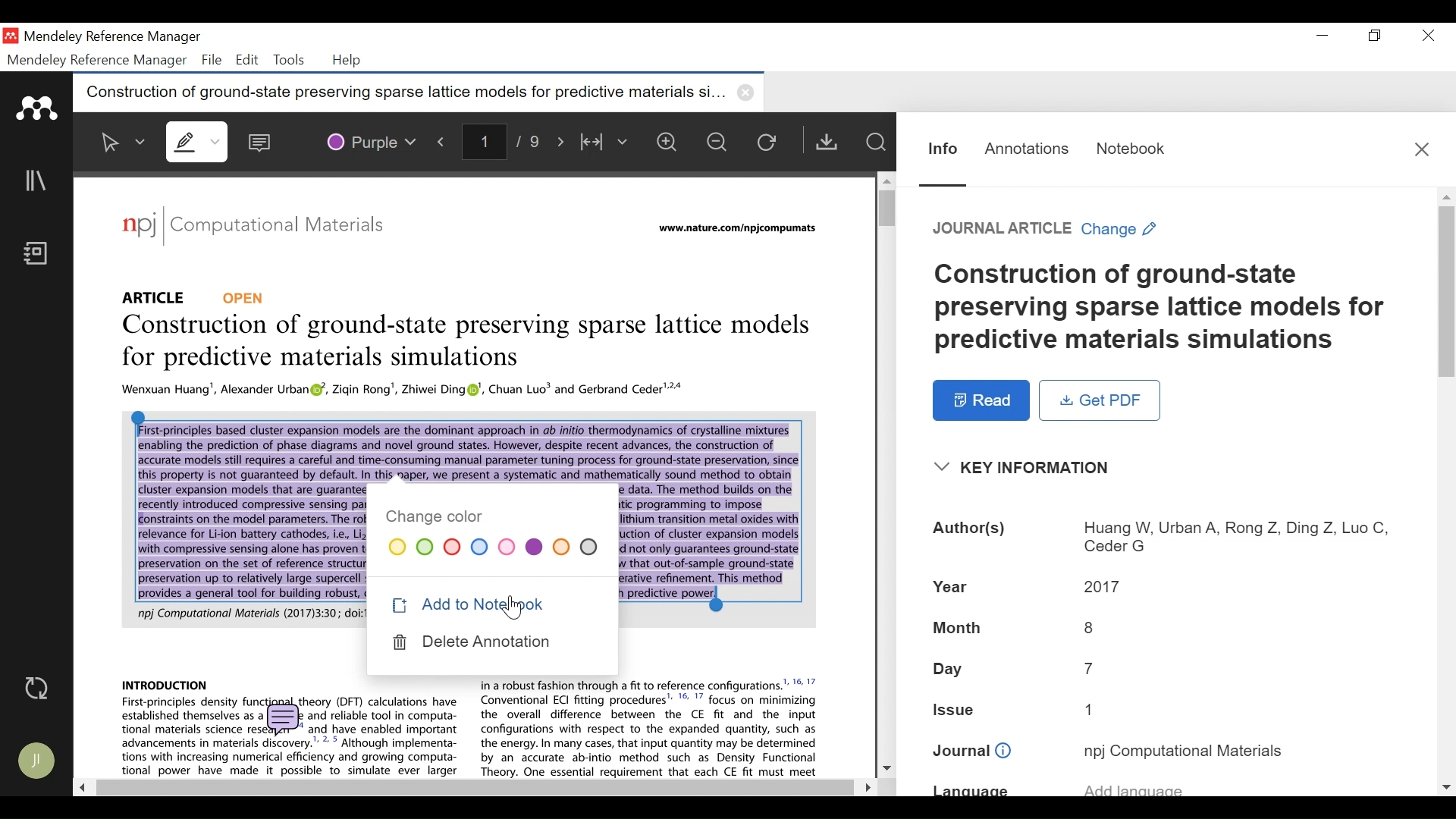 This screenshot has width=1456, height=819. I want to click on Title, so click(1163, 308).